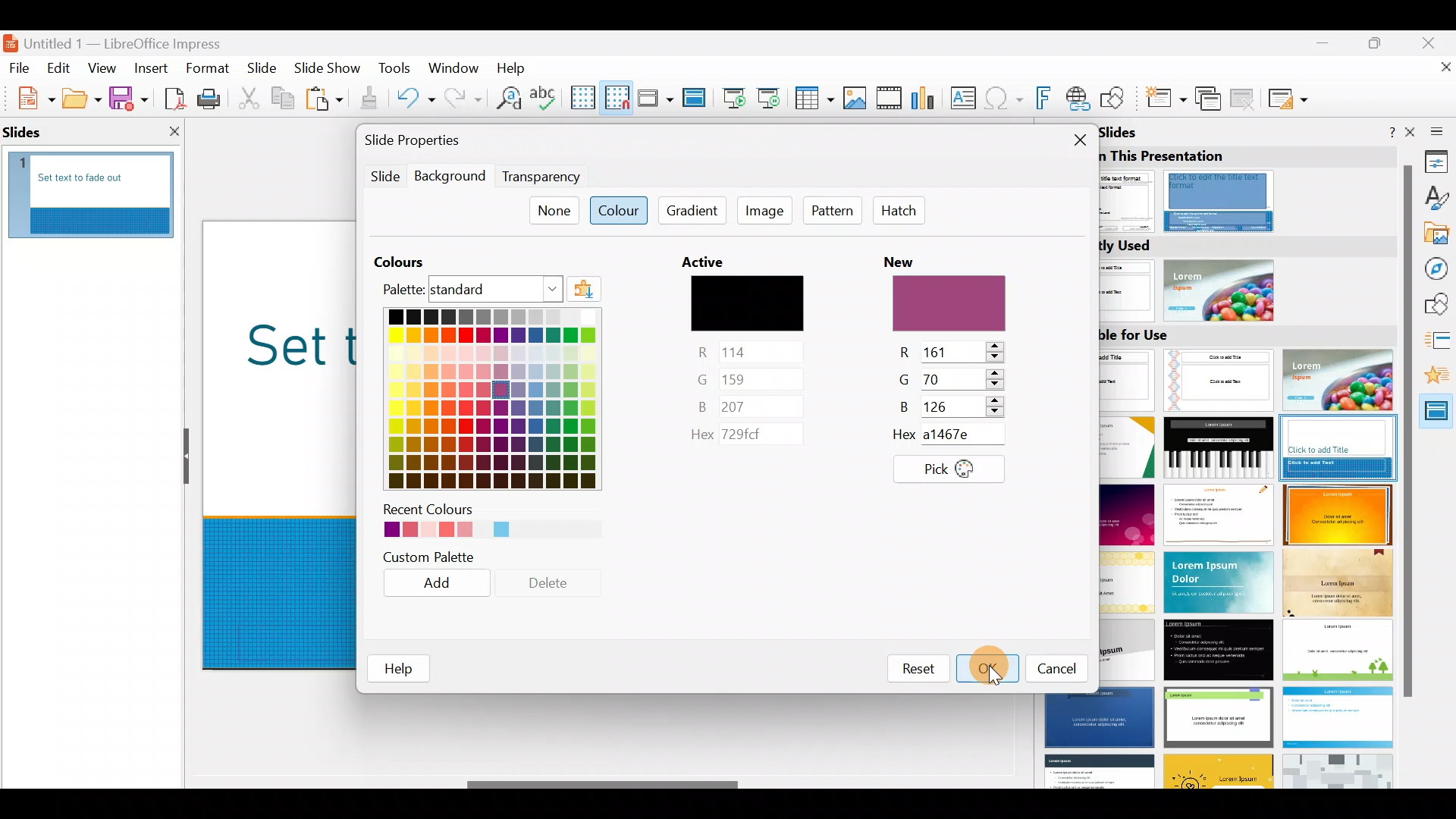 The width and height of the screenshot is (1456, 819). What do you see at coordinates (1320, 50) in the screenshot?
I see `Minimise` at bounding box center [1320, 50].